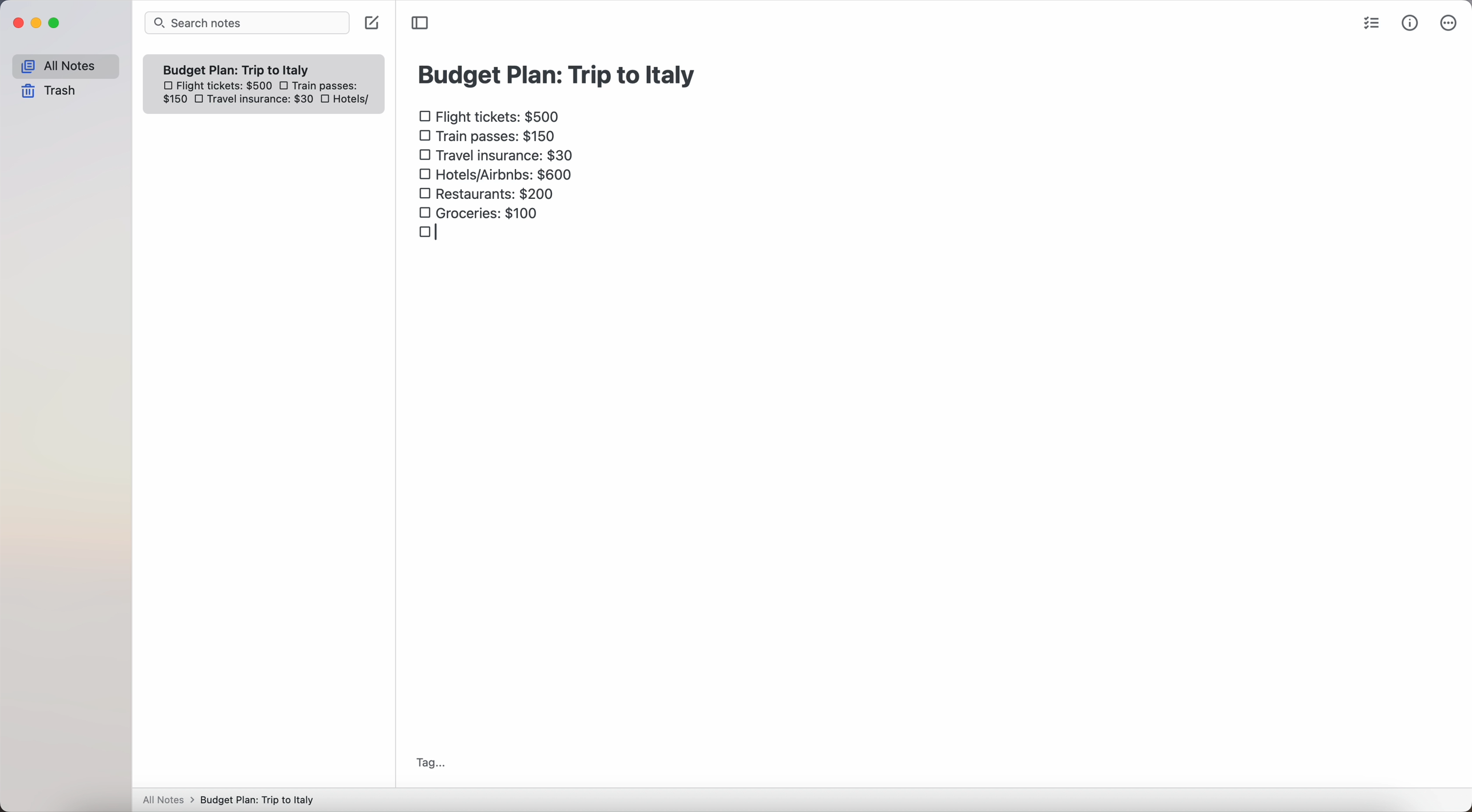 Image resolution: width=1472 pixels, height=812 pixels. Describe the element at coordinates (489, 139) in the screenshot. I see `train passes $150 checkbox` at that location.